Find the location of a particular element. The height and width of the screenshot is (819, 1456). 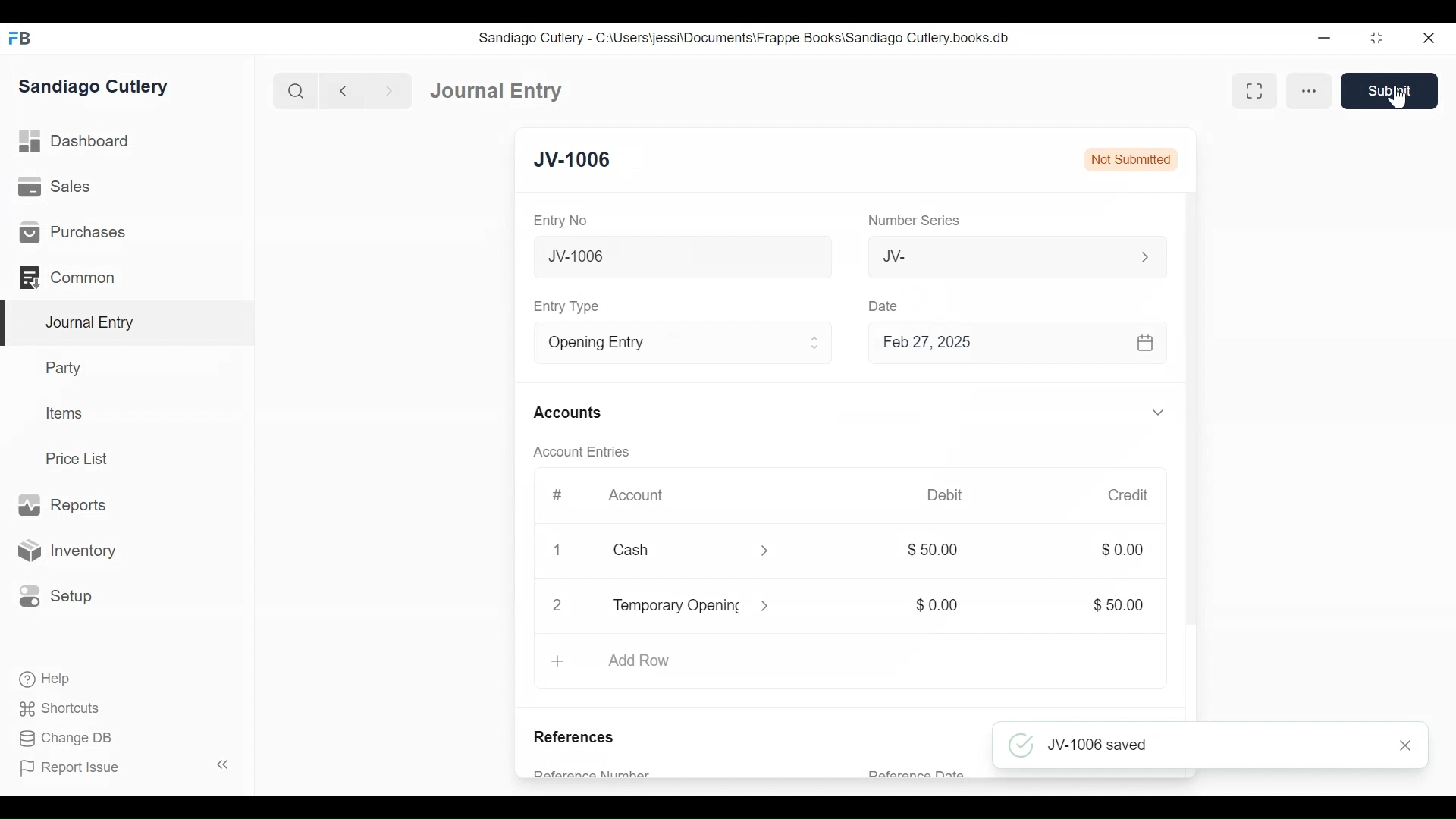

Close is located at coordinates (560, 551).